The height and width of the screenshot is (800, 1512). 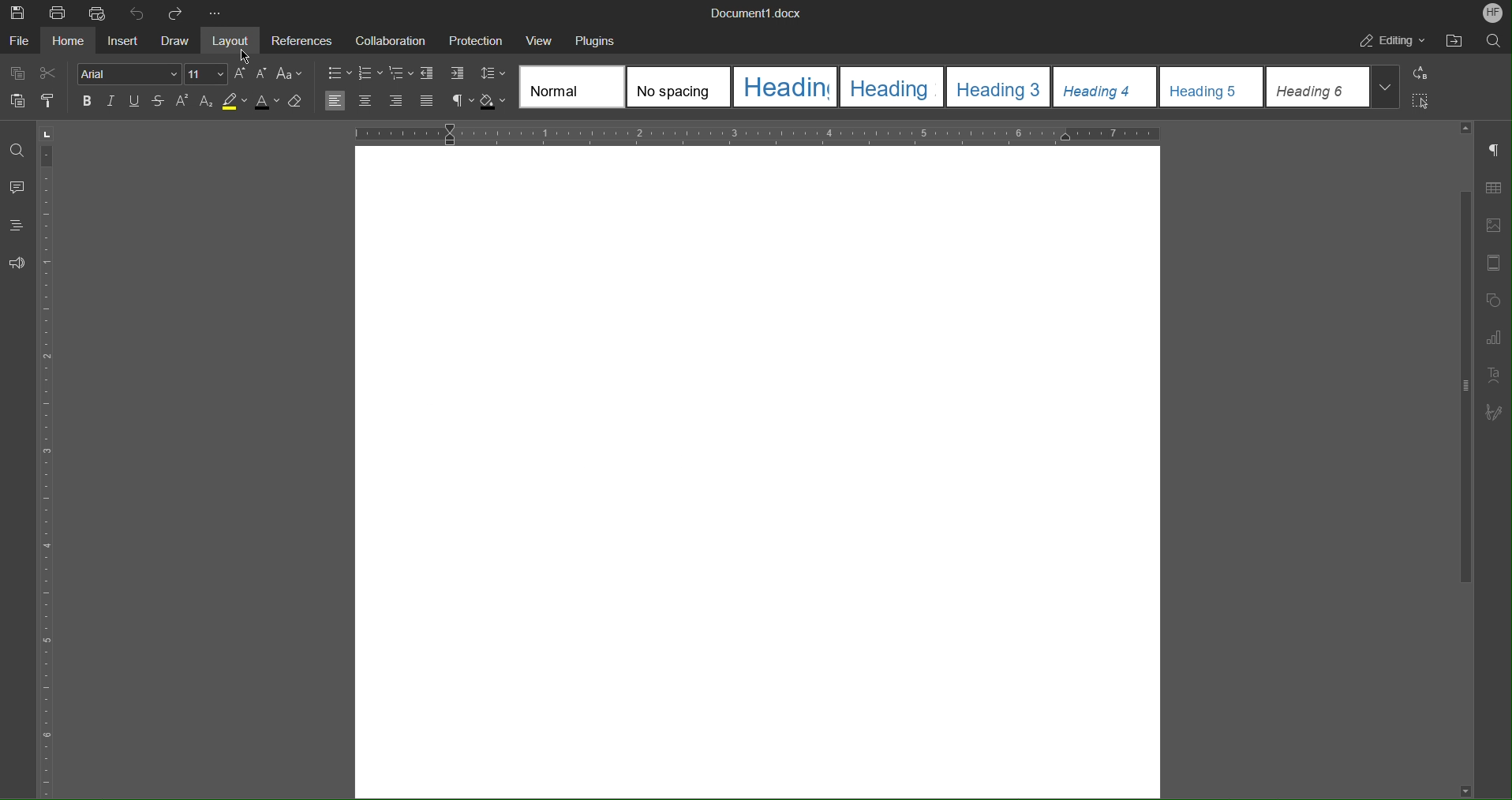 What do you see at coordinates (786, 88) in the screenshot?
I see `Heading 1` at bounding box center [786, 88].